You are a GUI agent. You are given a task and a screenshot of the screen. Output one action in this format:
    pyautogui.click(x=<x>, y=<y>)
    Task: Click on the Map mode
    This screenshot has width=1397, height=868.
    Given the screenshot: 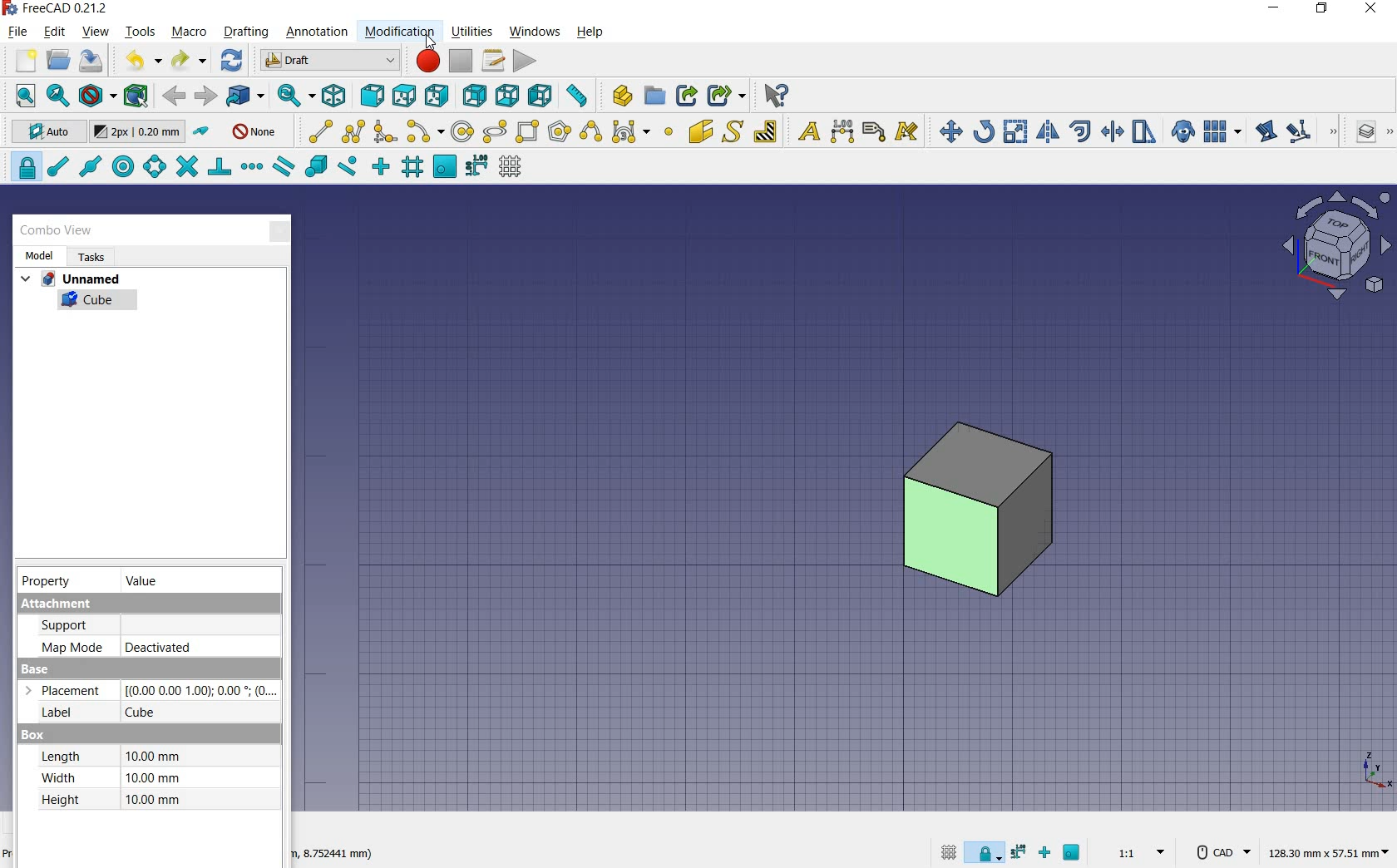 What is the action you would take?
    pyautogui.click(x=72, y=646)
    